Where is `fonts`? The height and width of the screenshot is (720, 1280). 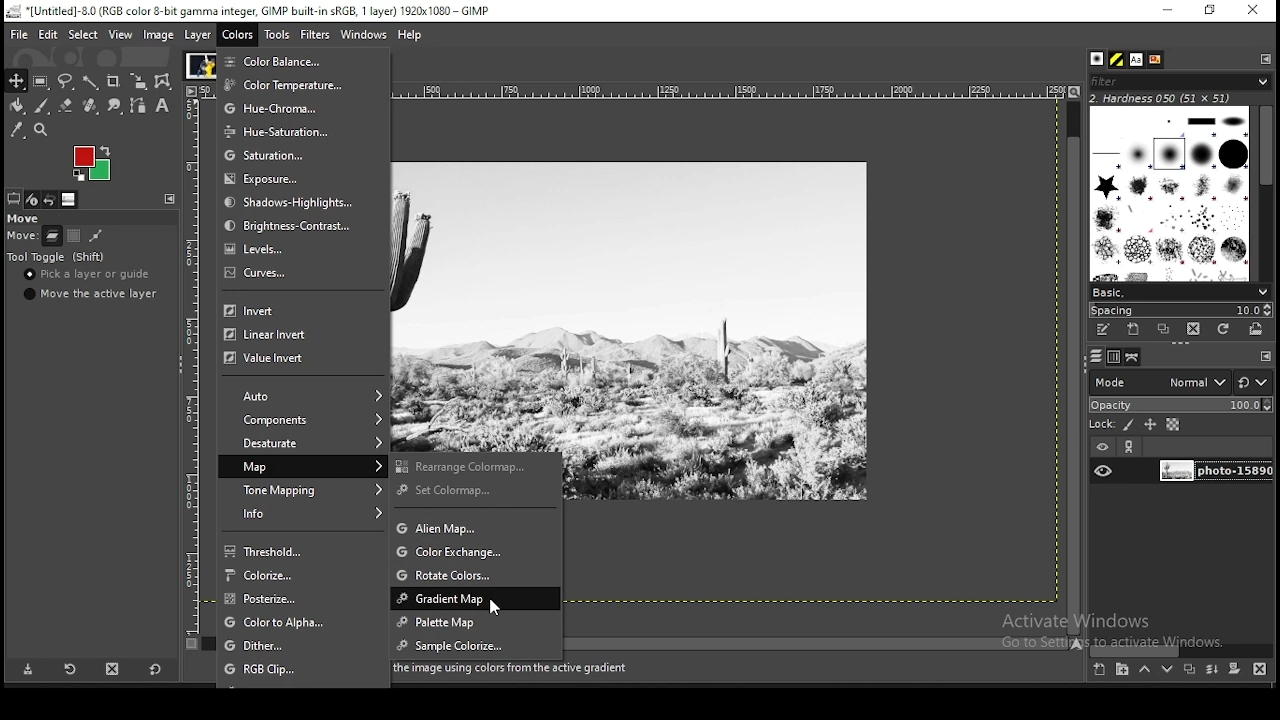
fonts is located at coordinates (1138, 59).